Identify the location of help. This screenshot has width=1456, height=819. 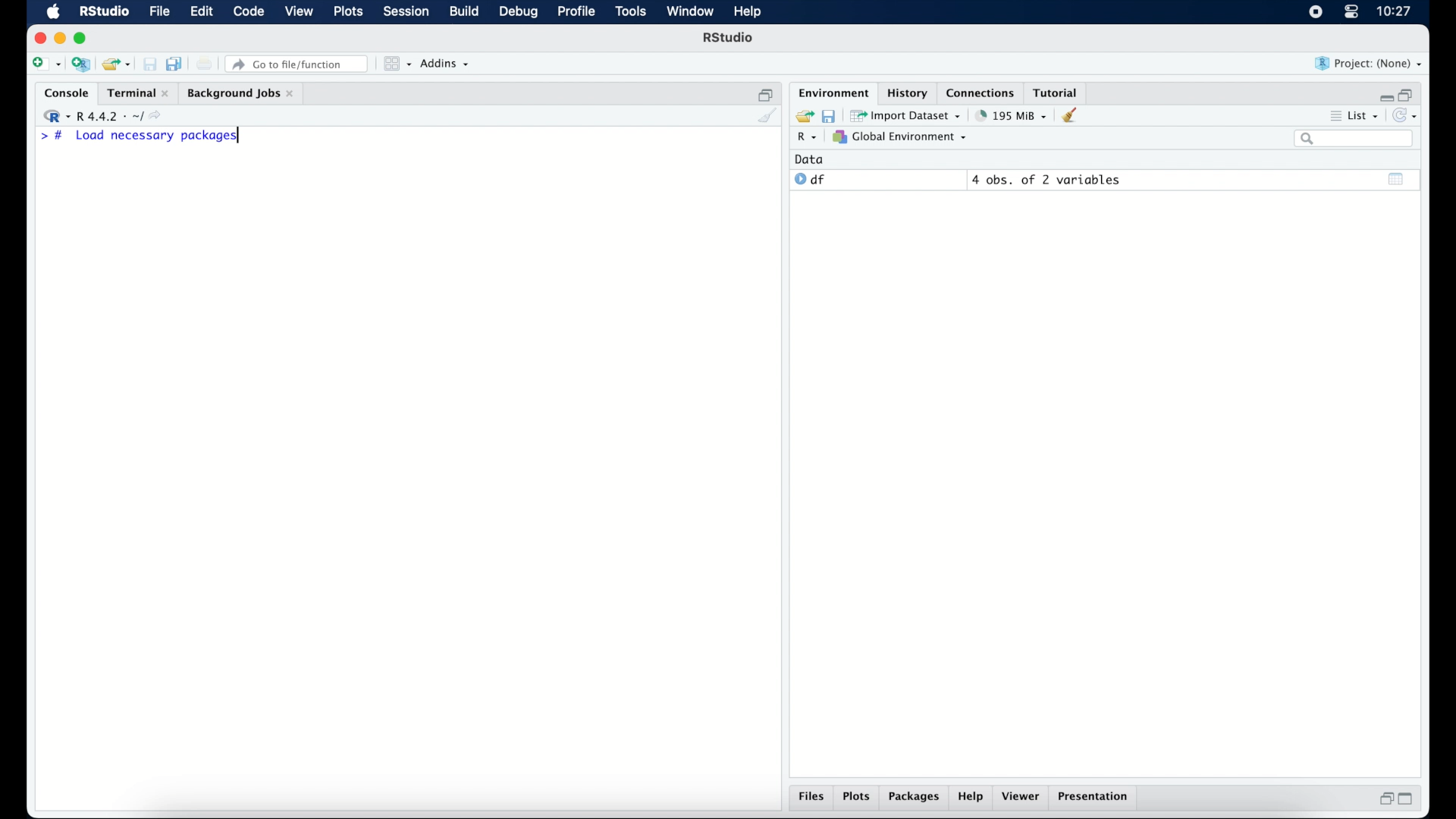
(971, 799).